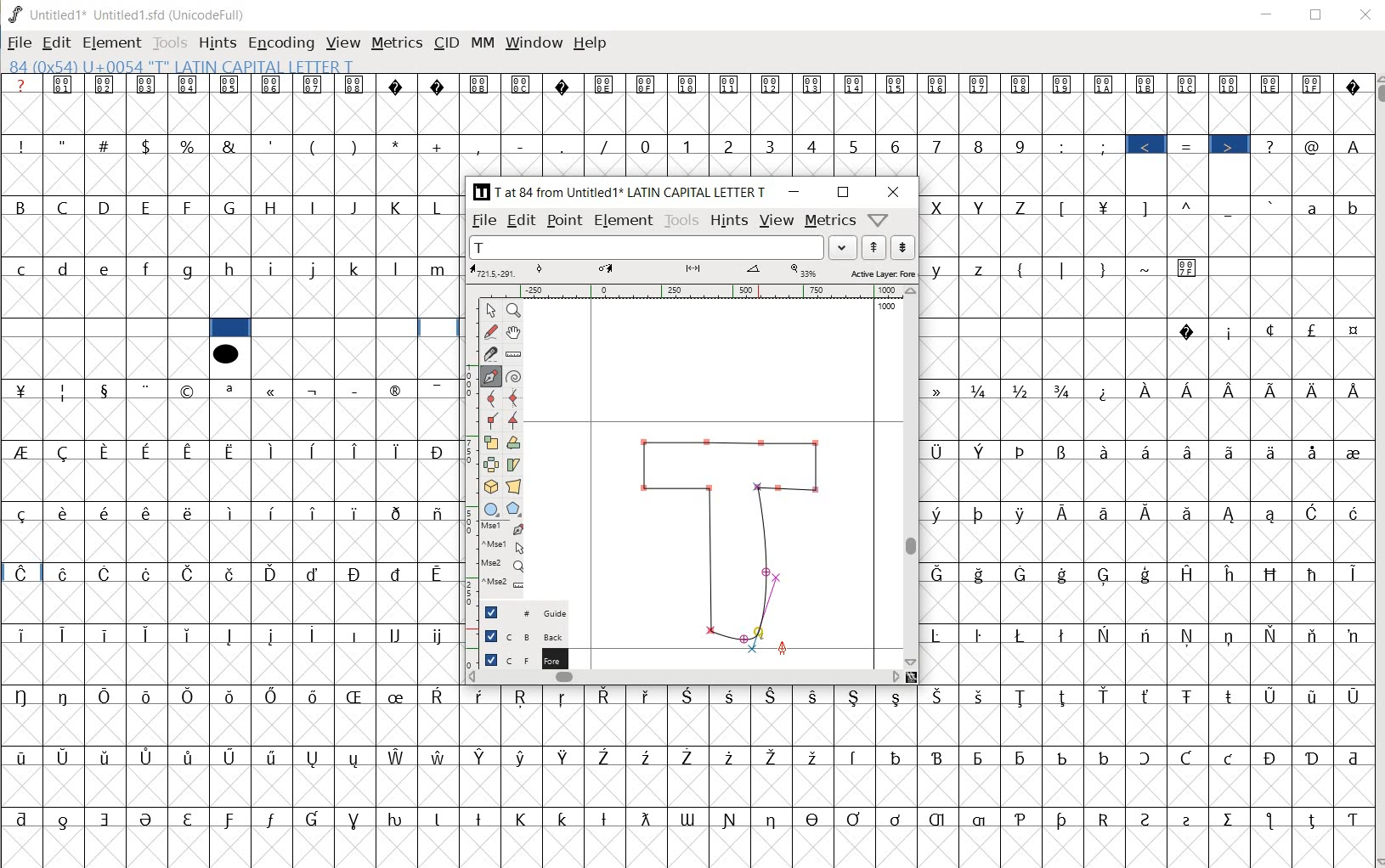 Image resolution: width=1385 pixels, height=868 pixels. What do you see at coordinates (1275, 389) in the screenshot?
I see `Symbol` at bounding box center [1275, 389].